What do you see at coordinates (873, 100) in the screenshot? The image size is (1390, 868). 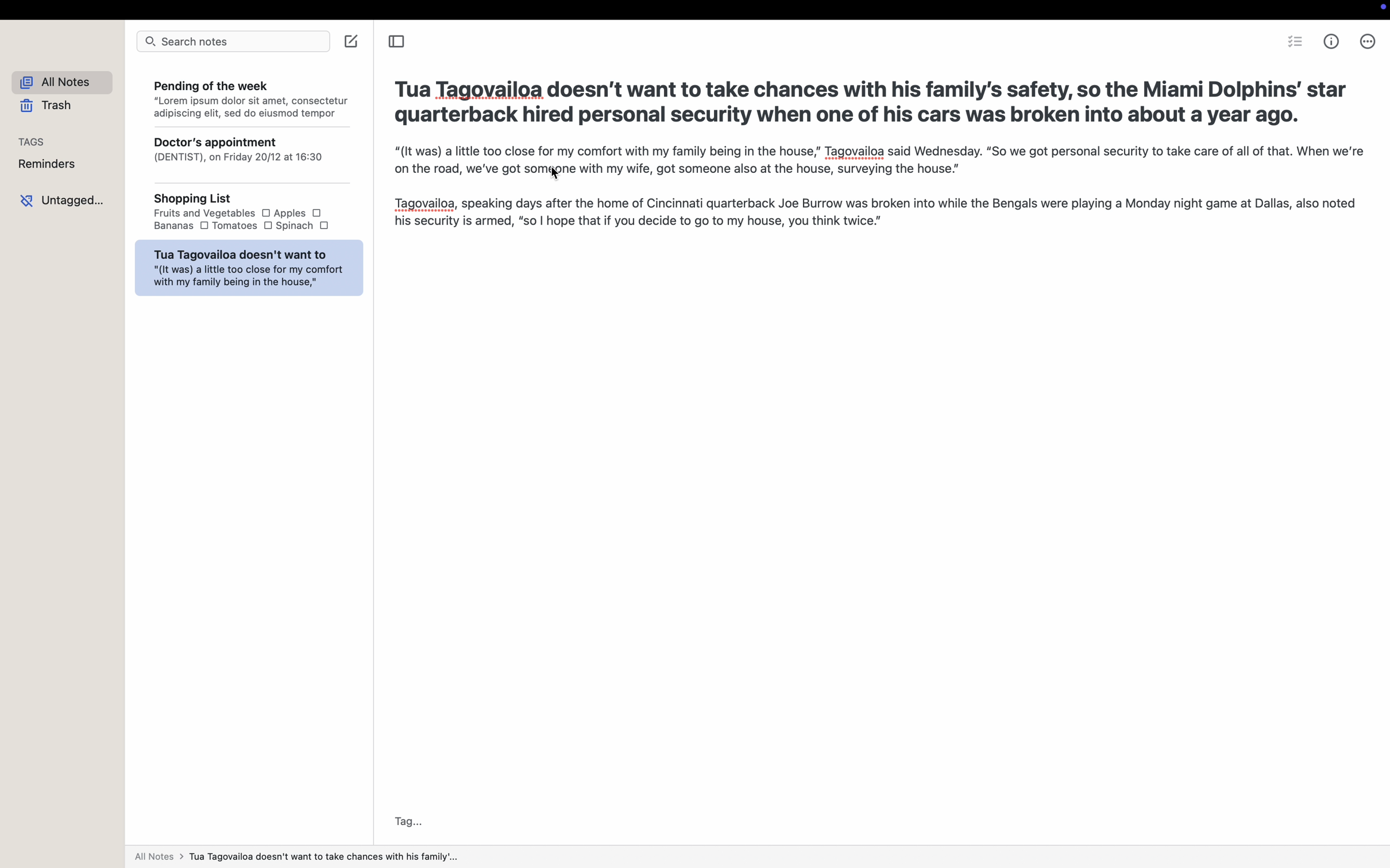 I see `Tua Tagovailoa doesn’t want to take chances with his family's safety, so the Miami Dolphins’ star
quarterback hired personal security when one of his cars was broken into about a year ago.` at bounding box center [873, 100].